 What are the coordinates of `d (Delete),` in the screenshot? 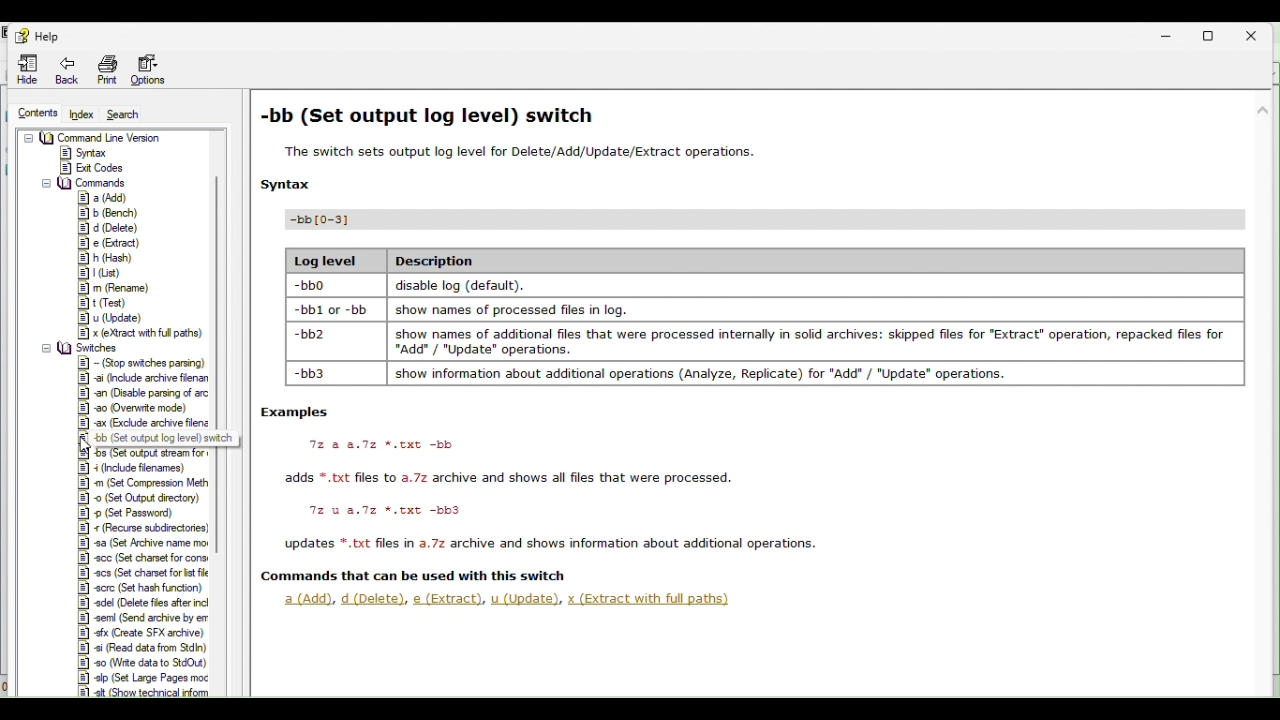 It's located at (374, 599).